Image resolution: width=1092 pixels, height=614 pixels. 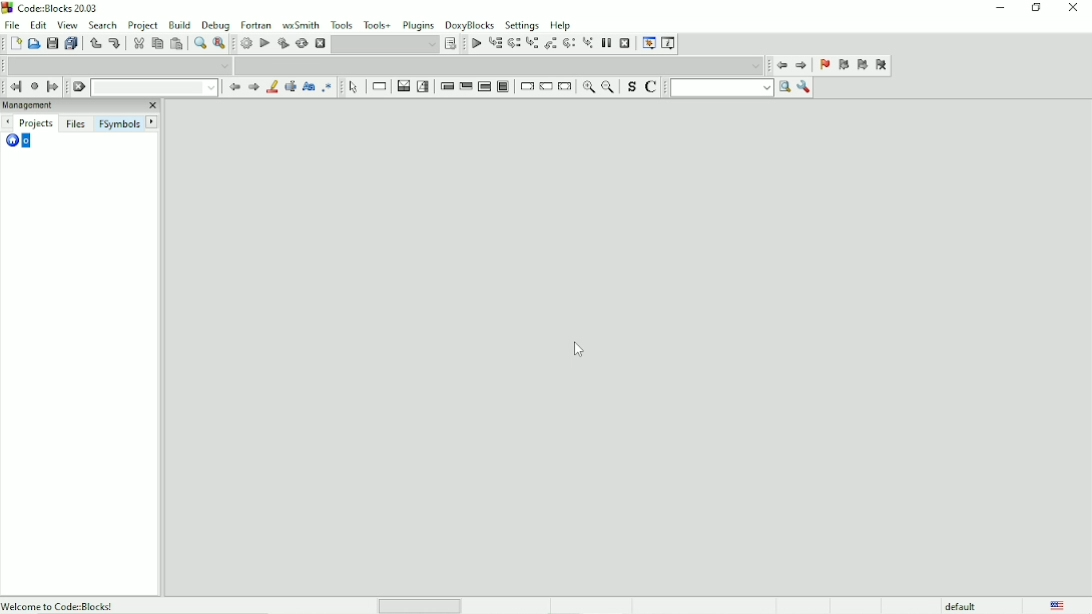 I want to click on Drop down, so click(x=157, y=88).